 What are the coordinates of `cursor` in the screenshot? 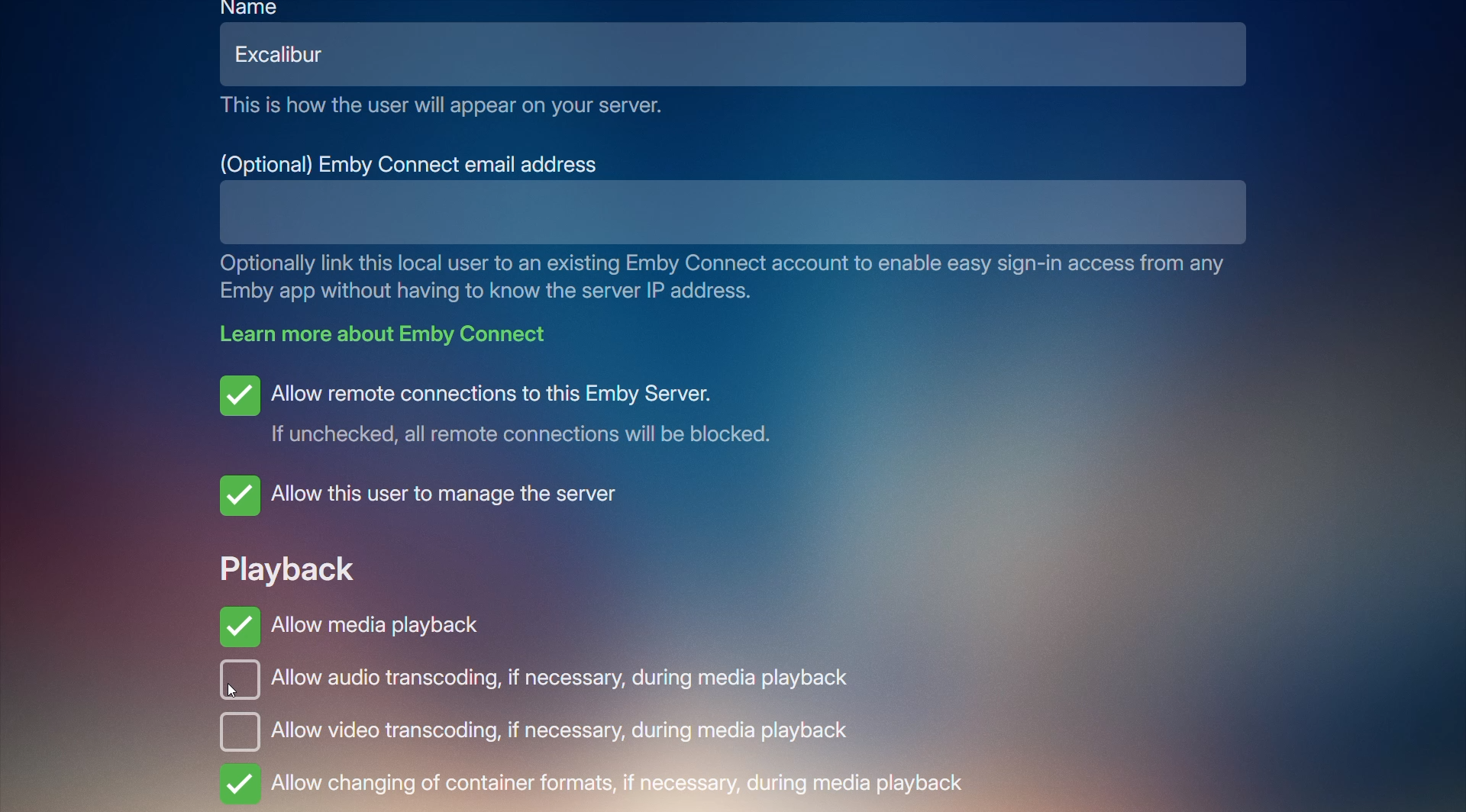 It's located at (235, 694).